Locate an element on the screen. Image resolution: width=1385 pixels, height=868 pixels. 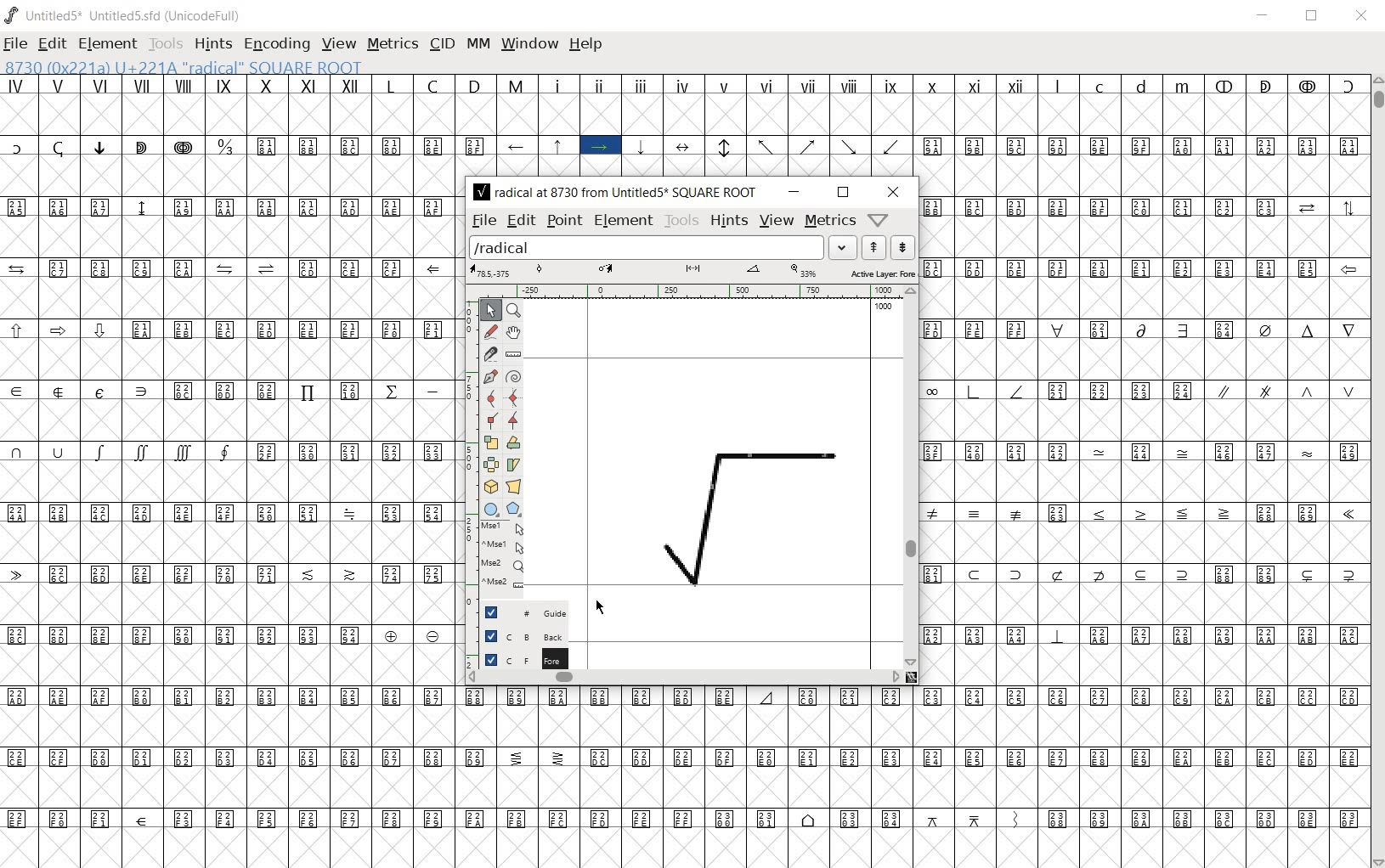
rotate the selection is located at coordinates (512, 442).